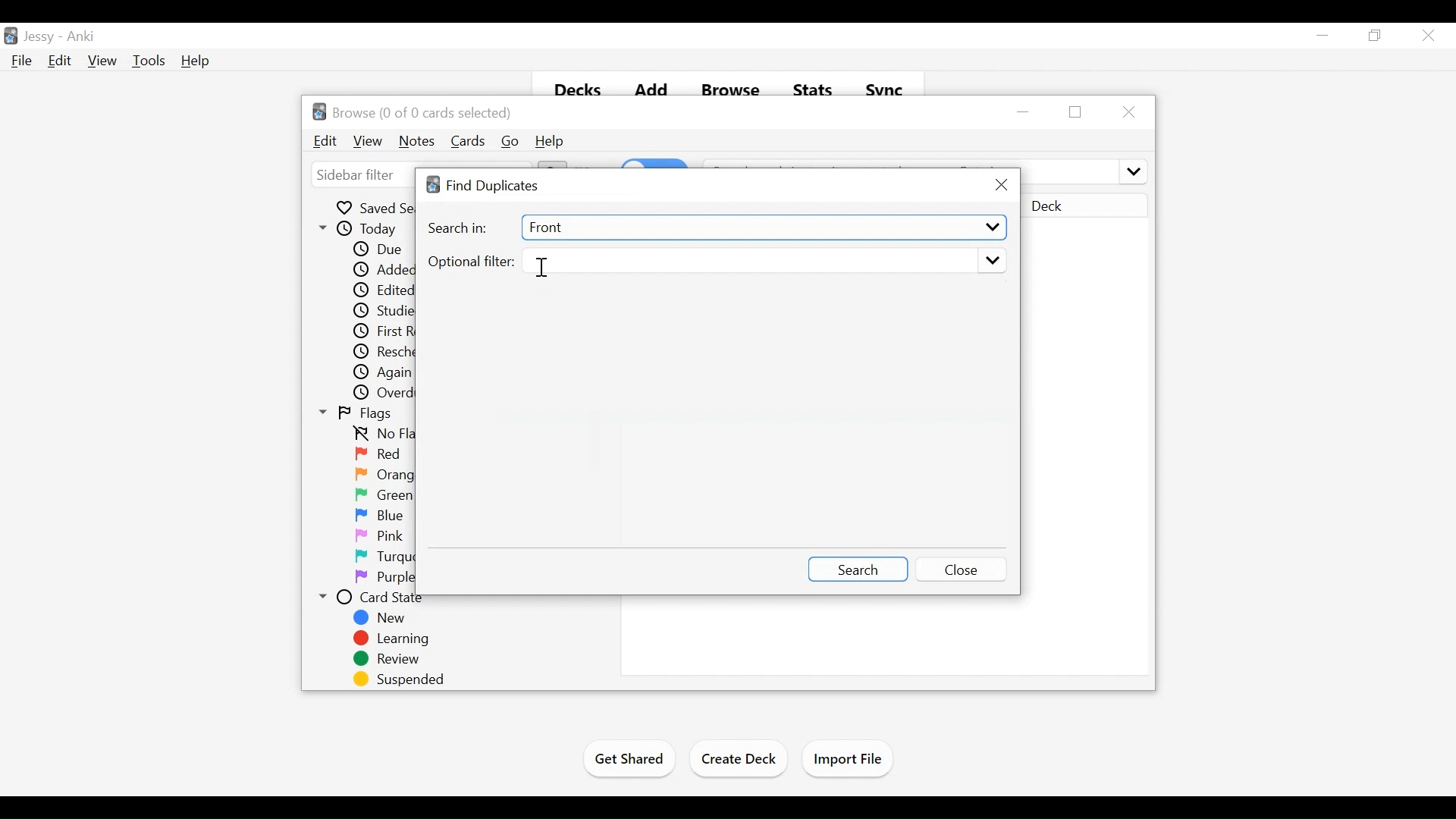 The height and width of the screenshot is (819, 1456). Describe the element at coordinates (379, 537) in the screenshot. I see `Pink` at that location.